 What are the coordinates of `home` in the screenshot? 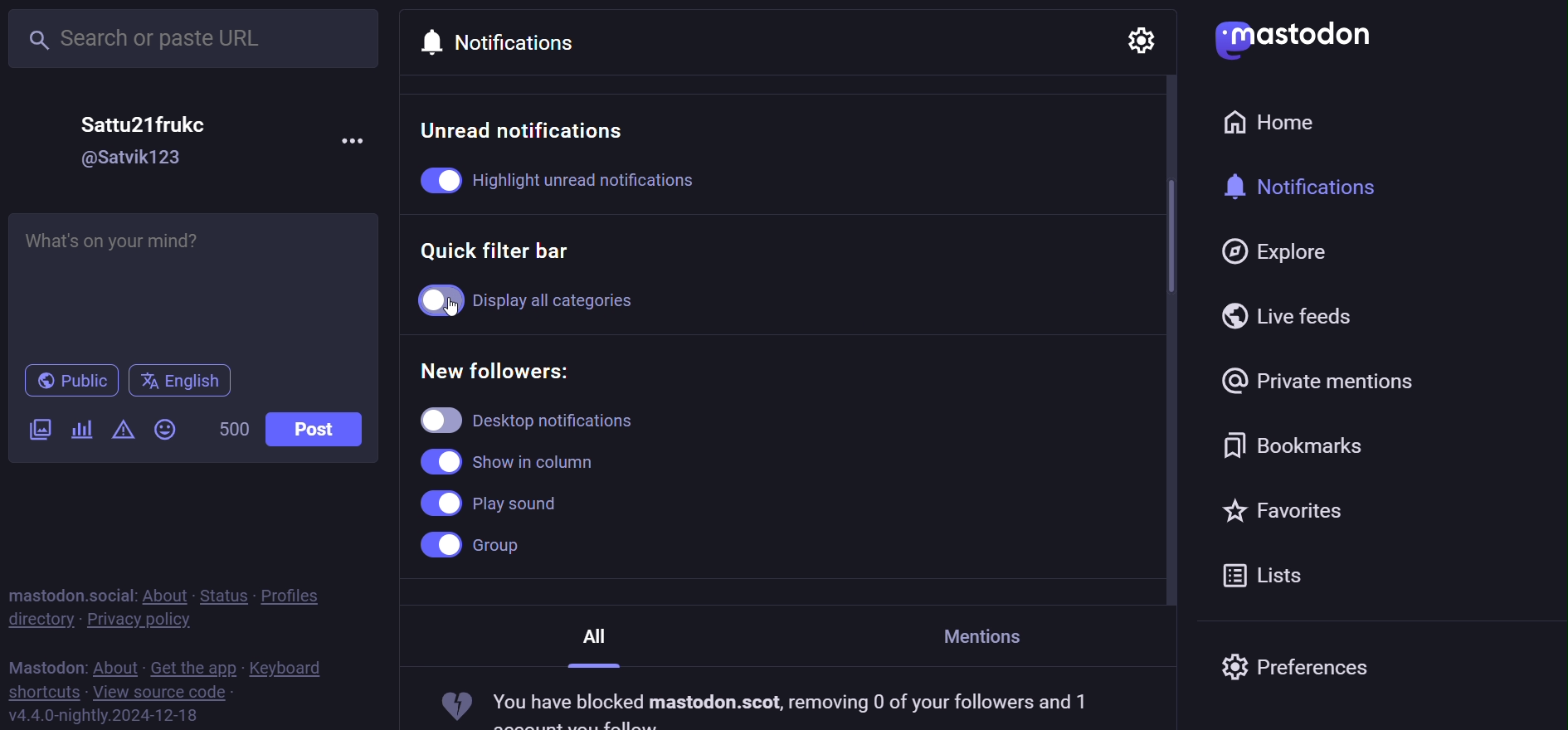 It's located at (1281, 123).